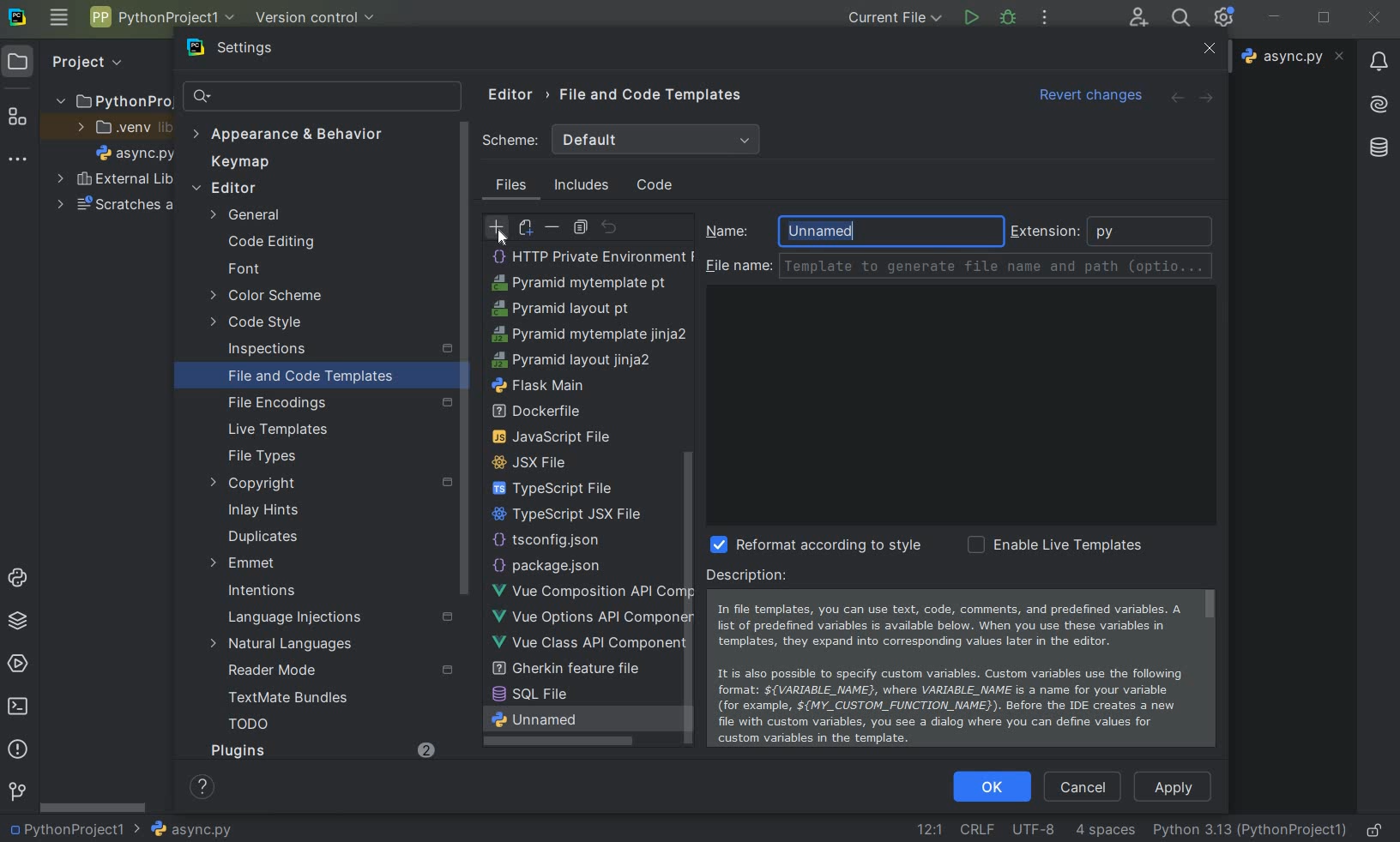 The height and width of the screenshot is (842, 1400). What do you see at coordinates (334, 617) in the screenshot?
I see `language injections` at bounding box center [334, 617].